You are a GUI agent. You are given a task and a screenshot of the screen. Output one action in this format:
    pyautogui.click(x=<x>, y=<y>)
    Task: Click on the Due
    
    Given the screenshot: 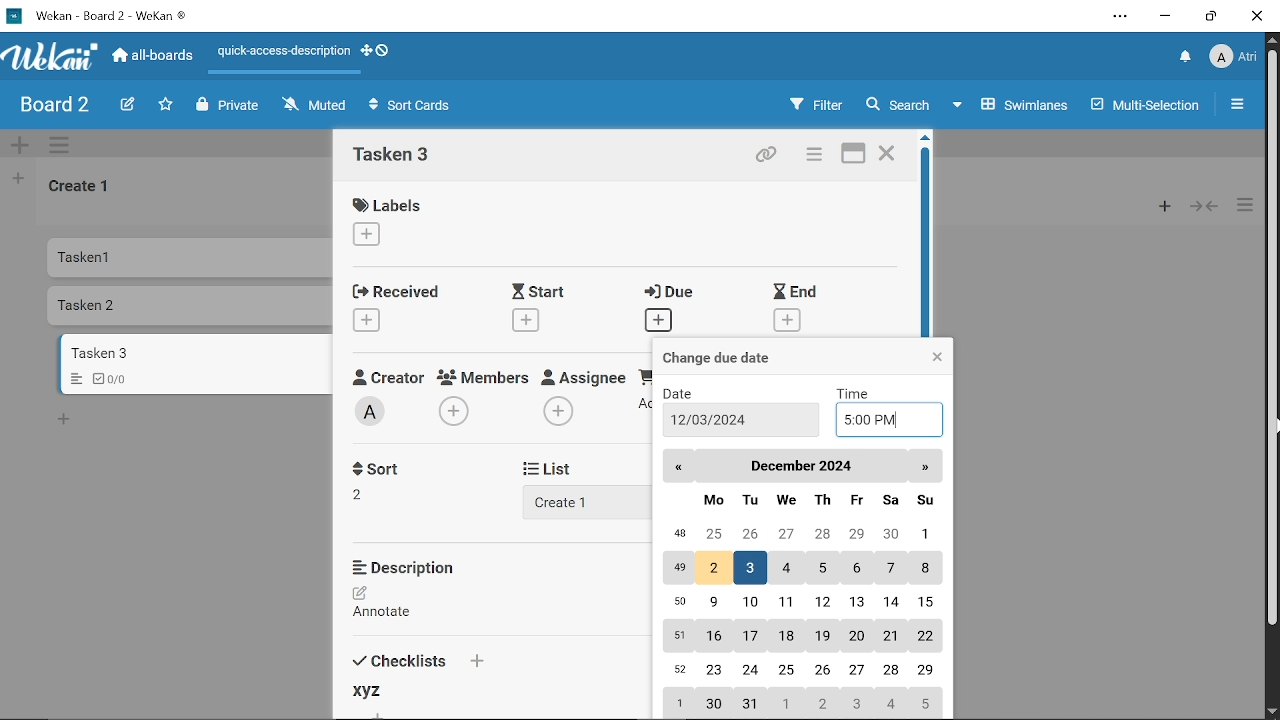 What is the action you would take?
    pyautogui.click(x=675, y=293)
    